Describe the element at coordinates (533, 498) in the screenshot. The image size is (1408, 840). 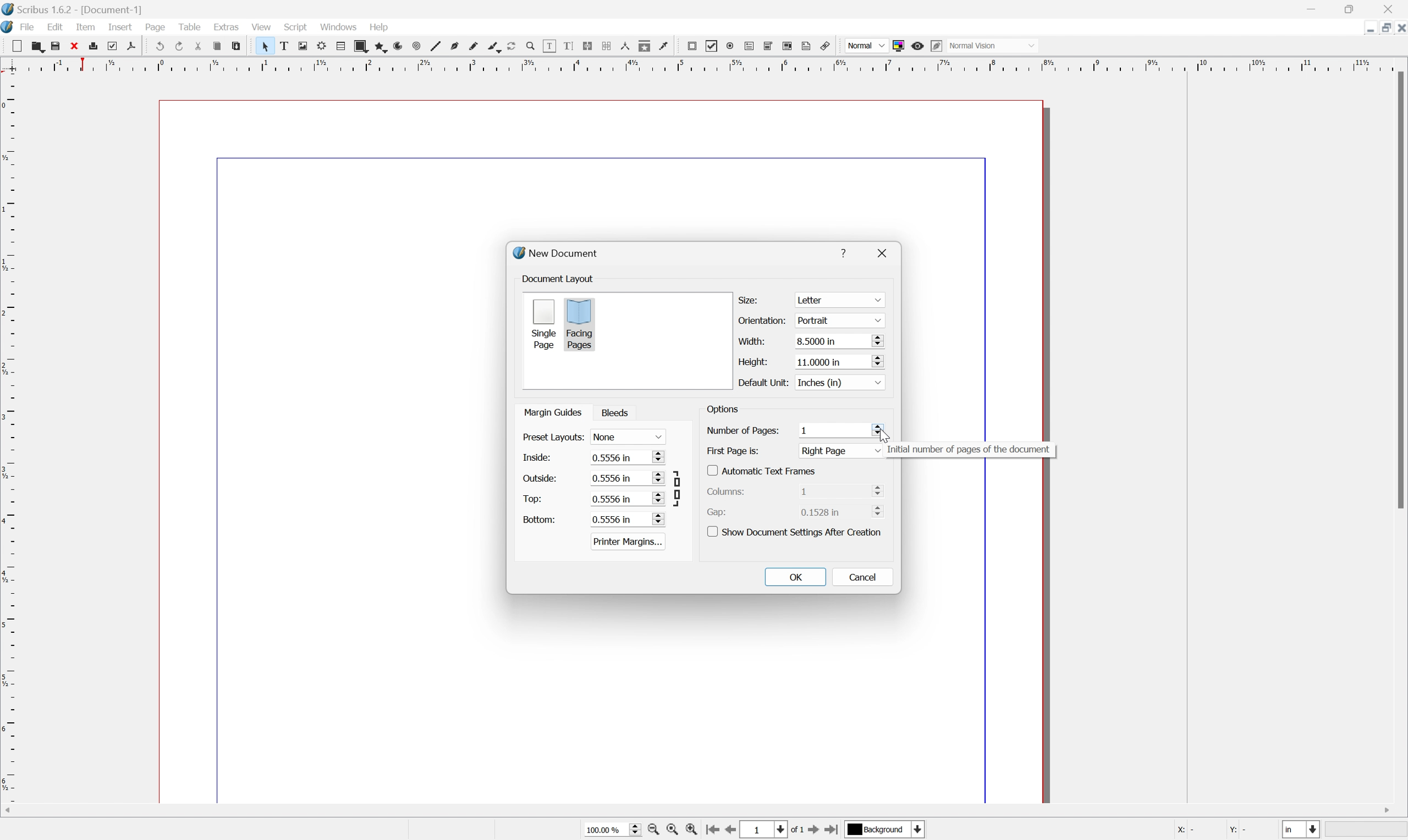
I see `top:` at that location.